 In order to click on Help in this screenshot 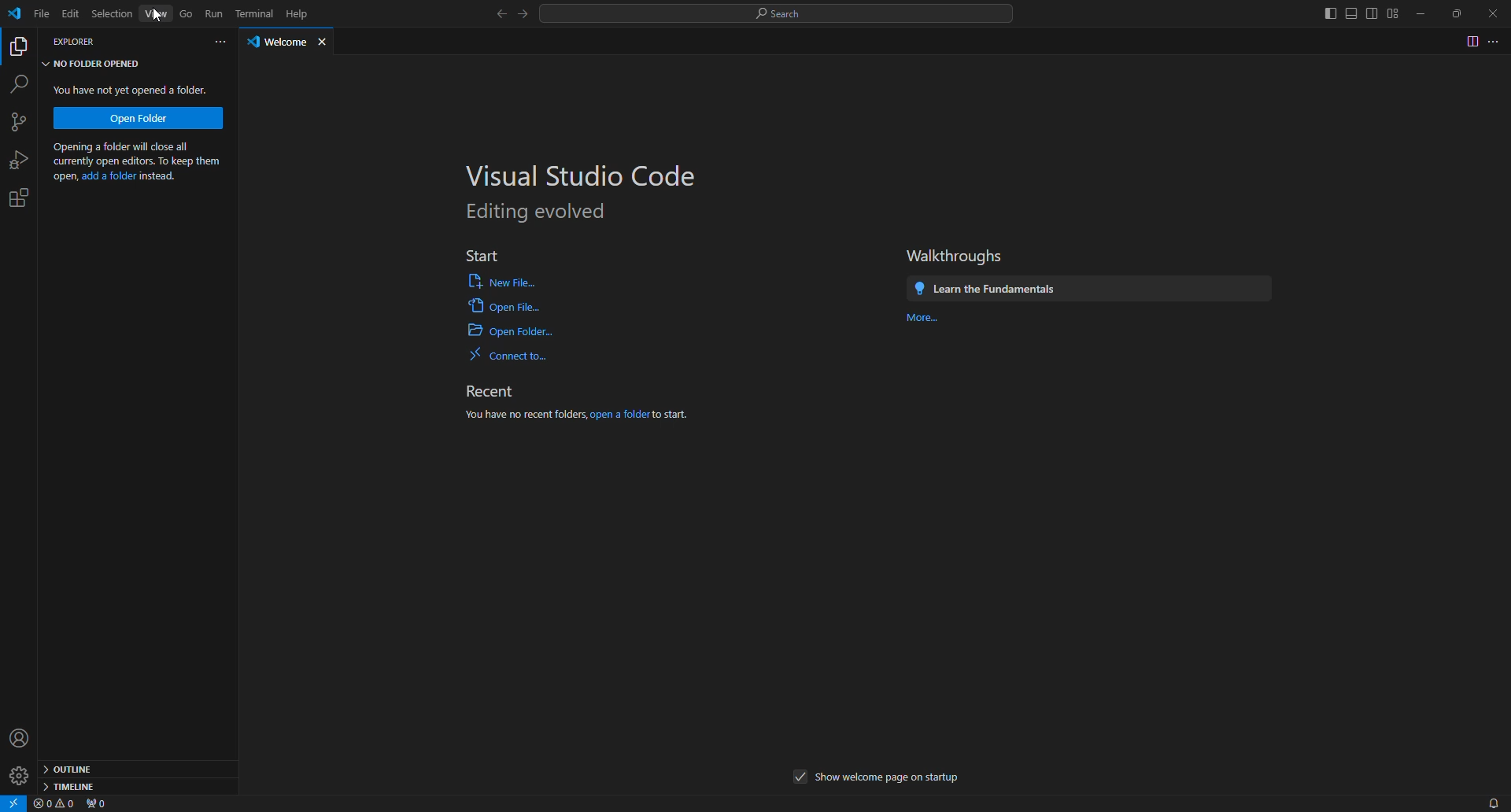, I will do `click(301, 14)`.